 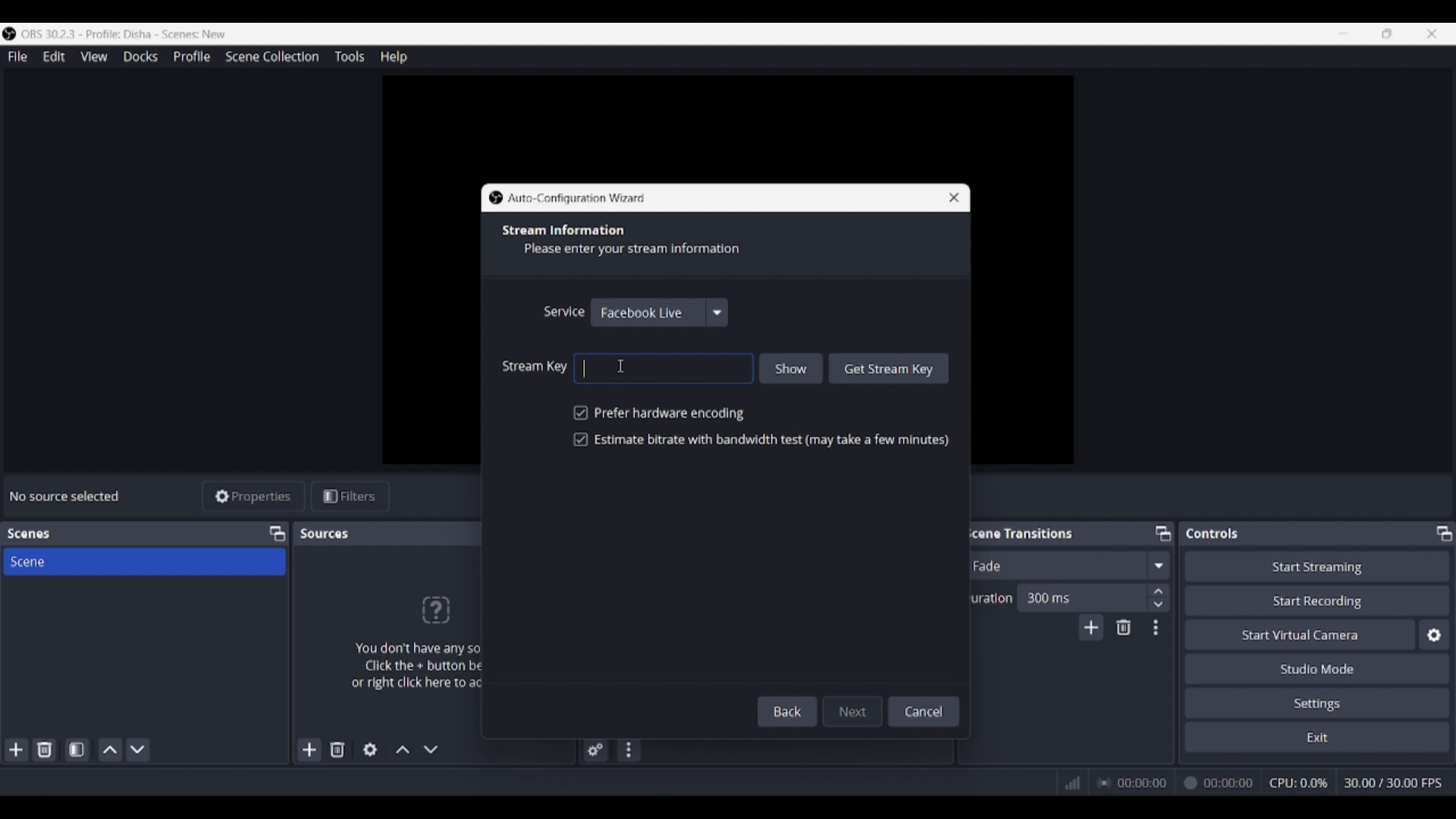 I want to click on Exit, so click(x=1317, y=736).